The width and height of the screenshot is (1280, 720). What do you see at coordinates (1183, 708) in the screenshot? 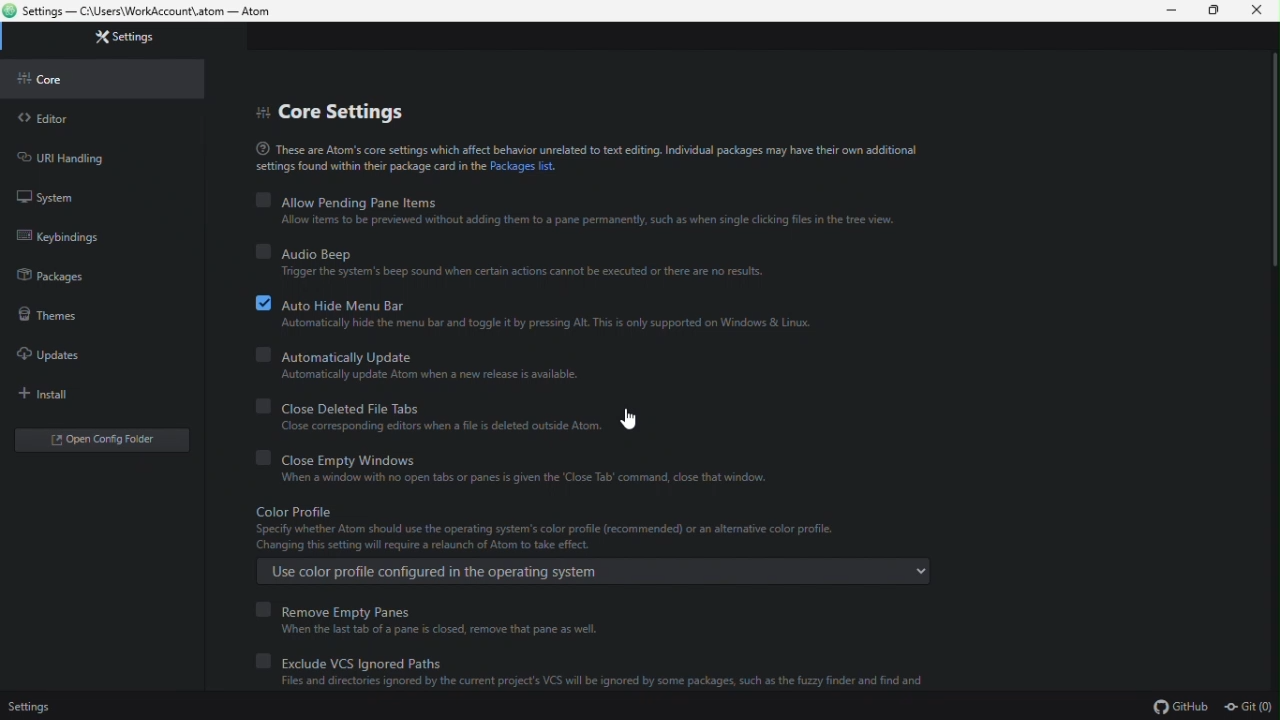
I see `github` at bounding box center [1183, 708].